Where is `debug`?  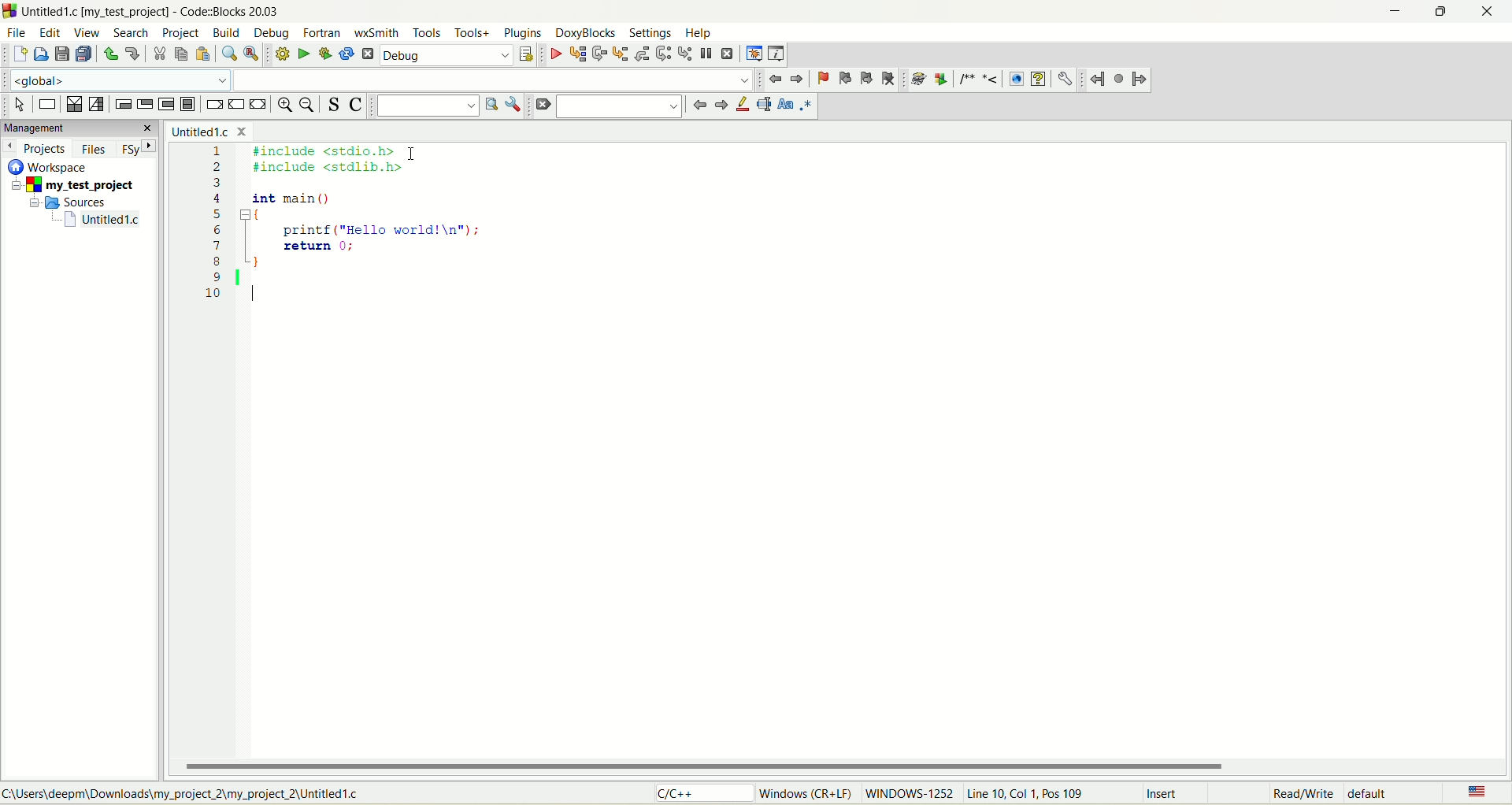
debug is located at coordinates (554, 54).